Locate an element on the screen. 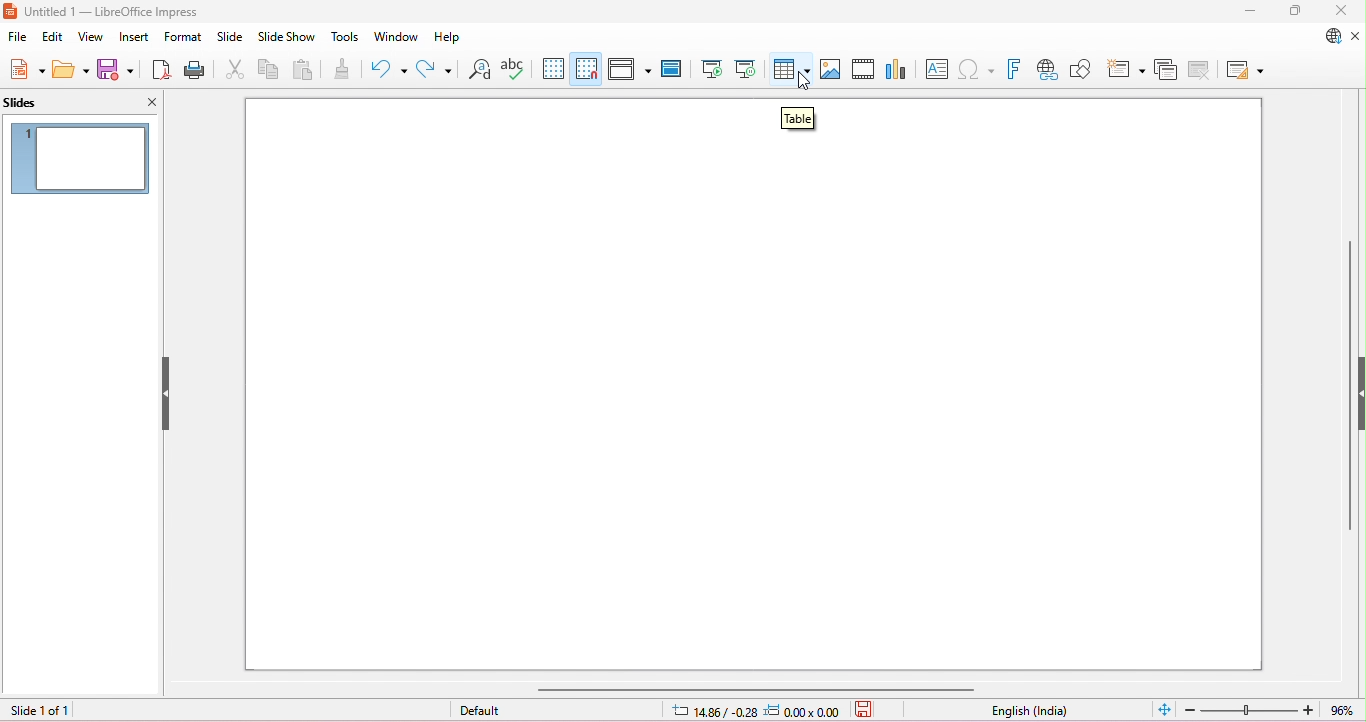 The width and height of the screenshot is (1366, 722). hide/show is located at coordinates (1357, 390).